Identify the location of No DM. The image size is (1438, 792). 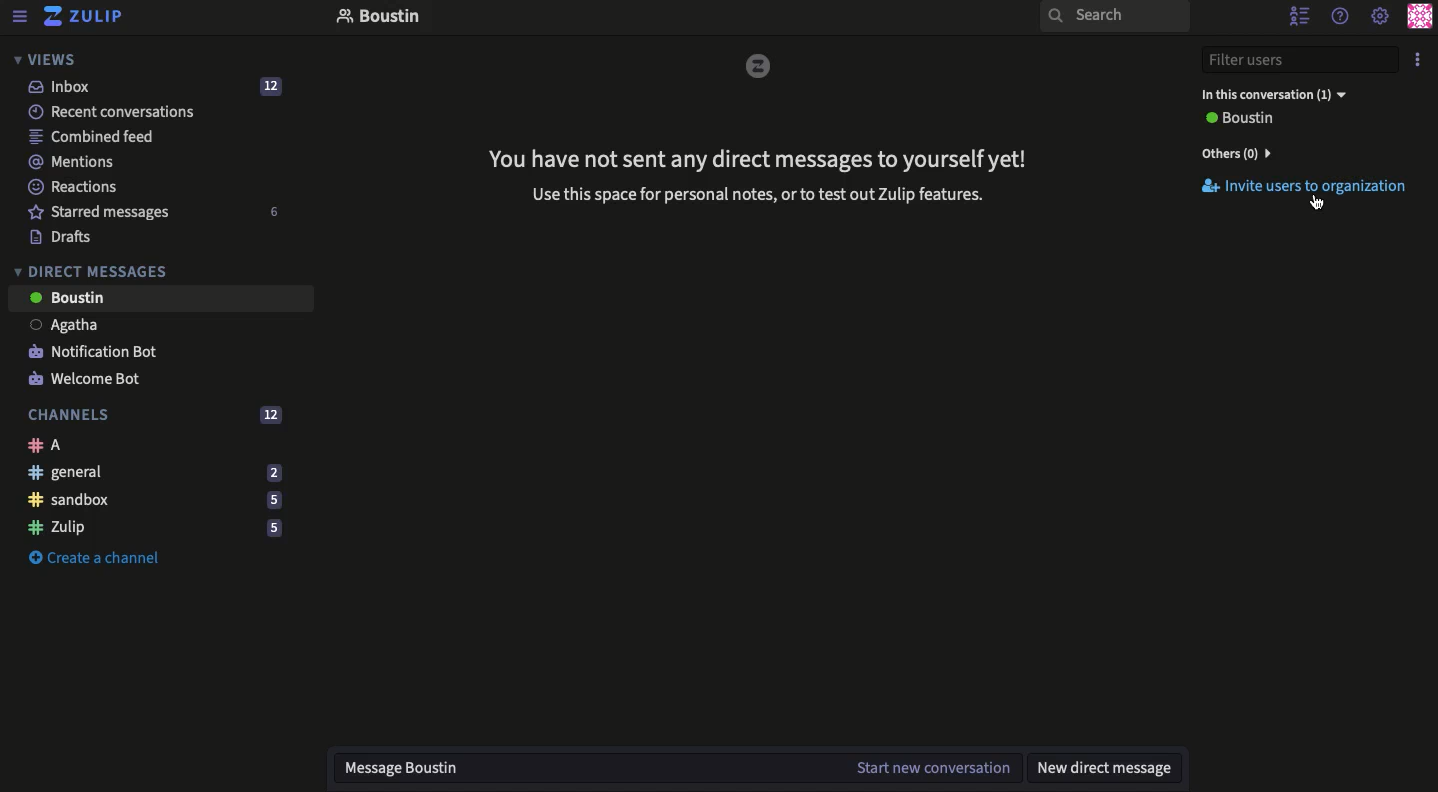
(762, 183).